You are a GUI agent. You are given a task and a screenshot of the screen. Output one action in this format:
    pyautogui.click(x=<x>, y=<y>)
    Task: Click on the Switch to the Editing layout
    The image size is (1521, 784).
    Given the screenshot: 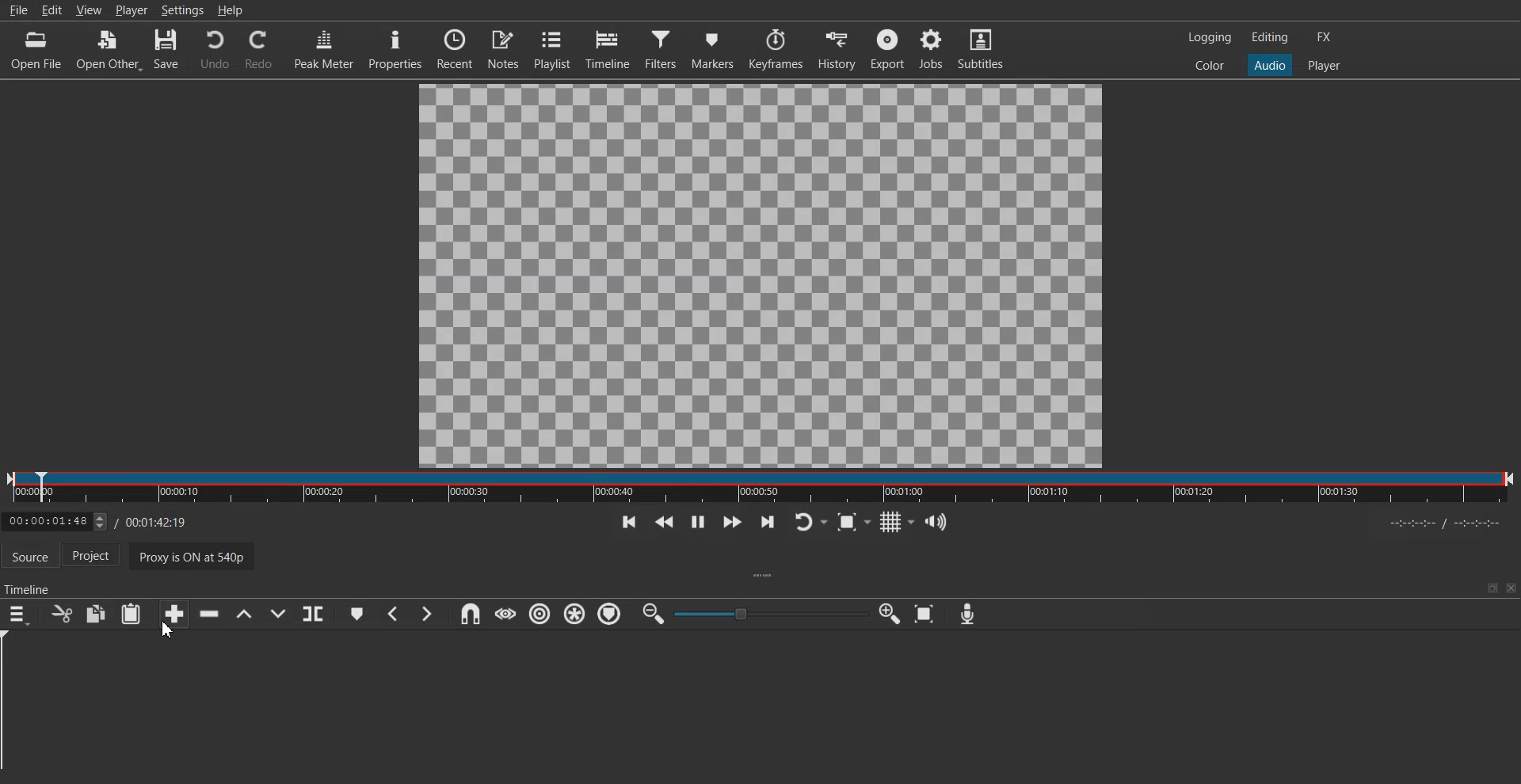 What is the action you would take?
    pyautogui.click(x=1270, y=36)
    